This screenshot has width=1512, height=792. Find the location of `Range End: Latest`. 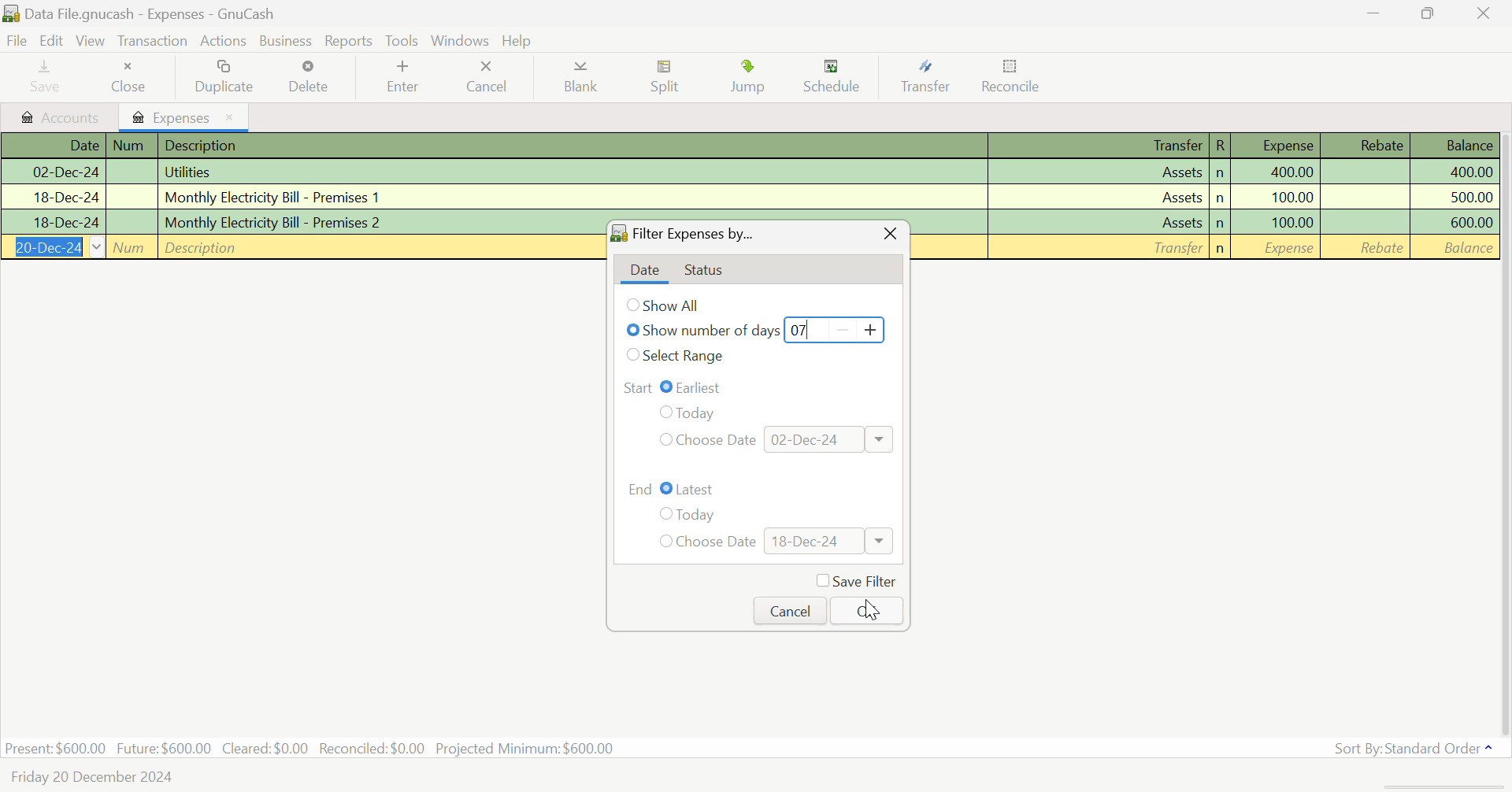

Range End: Latest is located at coordinates (762, 489).